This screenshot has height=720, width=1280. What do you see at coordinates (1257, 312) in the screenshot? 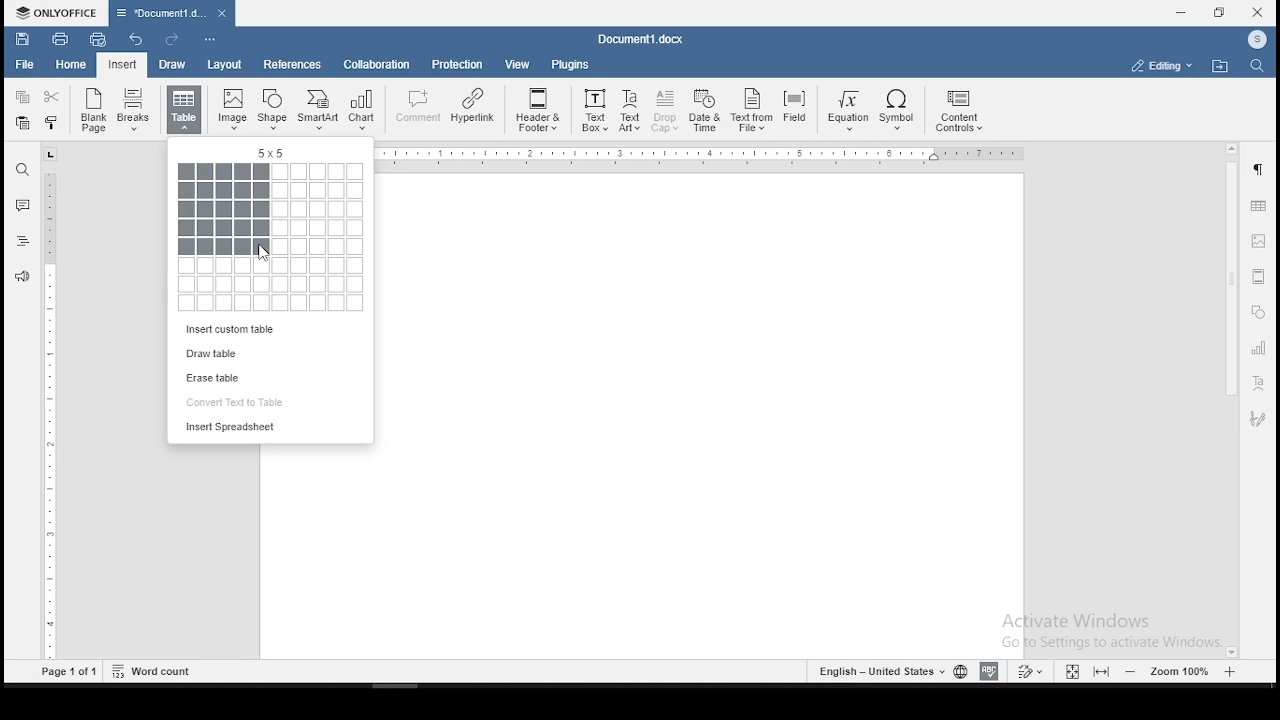
I see `shapes settings` at bounding box center [1257, 312].